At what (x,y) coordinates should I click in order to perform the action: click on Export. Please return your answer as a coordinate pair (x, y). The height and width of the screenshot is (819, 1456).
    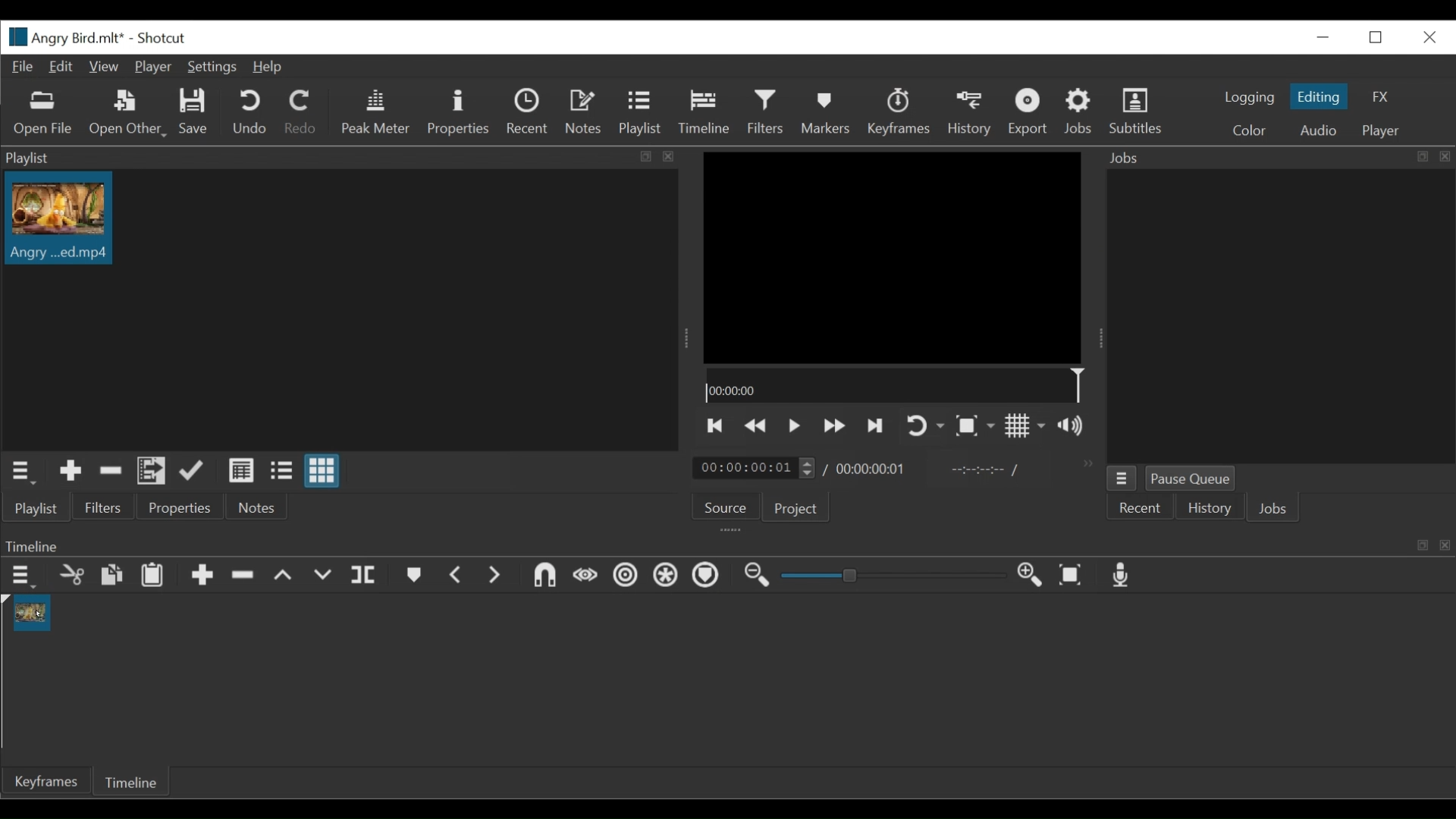
    Looking at the image, I should click on (1031, 114).